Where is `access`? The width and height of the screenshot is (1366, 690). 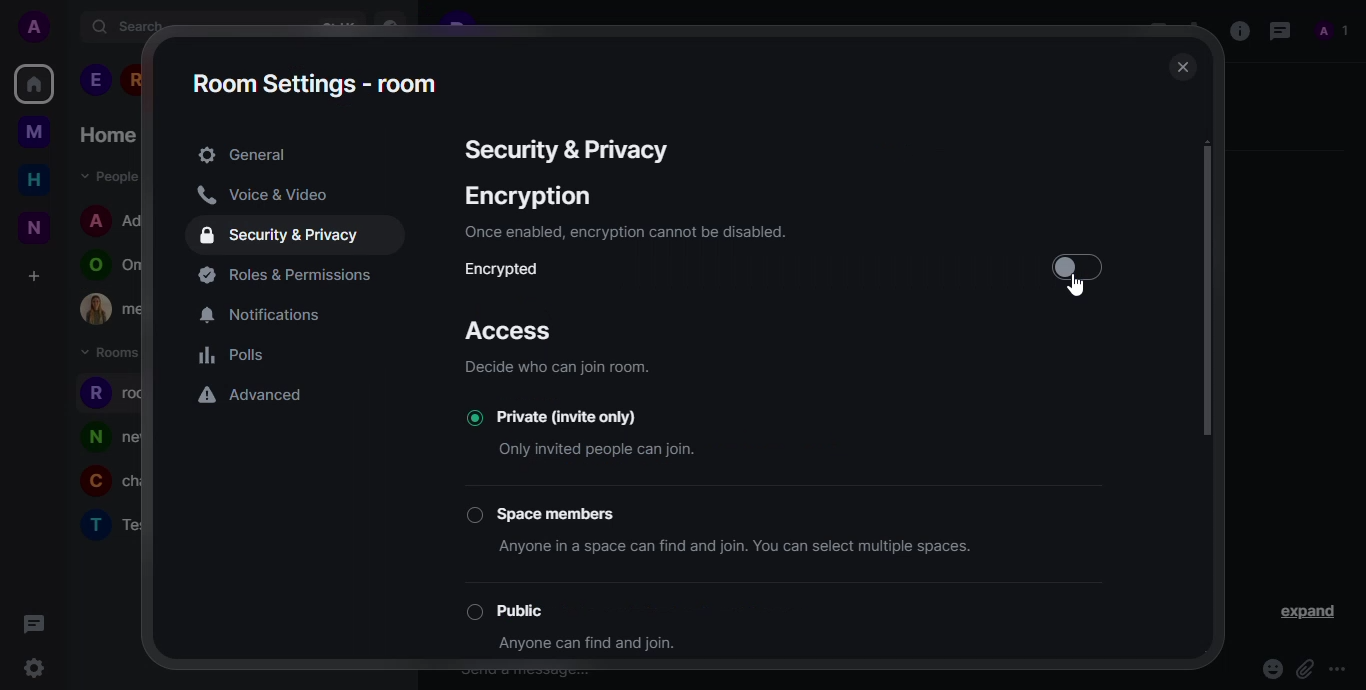 access is located at coordinates (511, 331).